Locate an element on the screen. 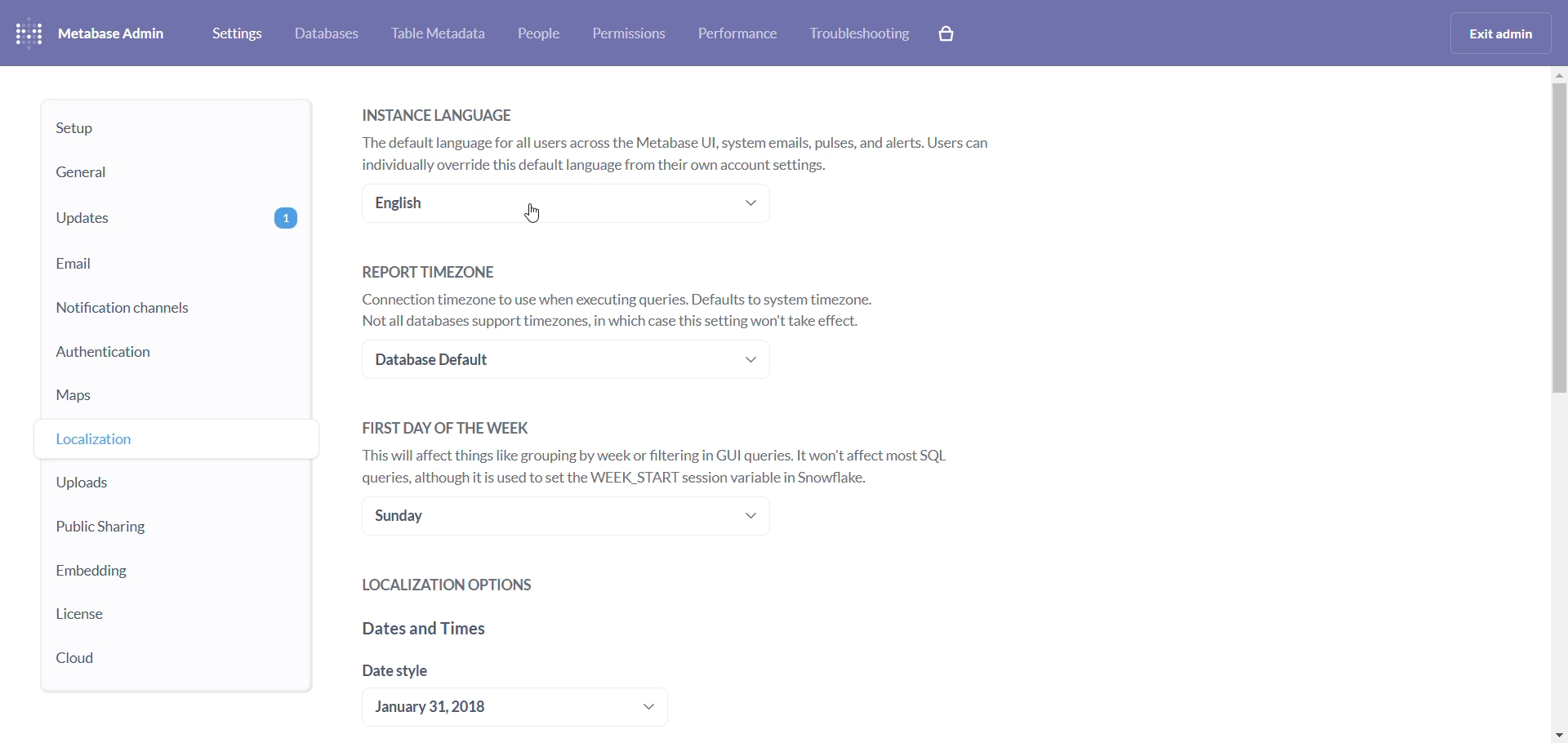  FIRST DAY OF THE WEEK
This will affect things like grouping by week or filtering in GUI queries. It won't affect most SQL
queries, although it is used to set the WEEK_START session variable in Snowflake. is located at coordinates (667, 452).